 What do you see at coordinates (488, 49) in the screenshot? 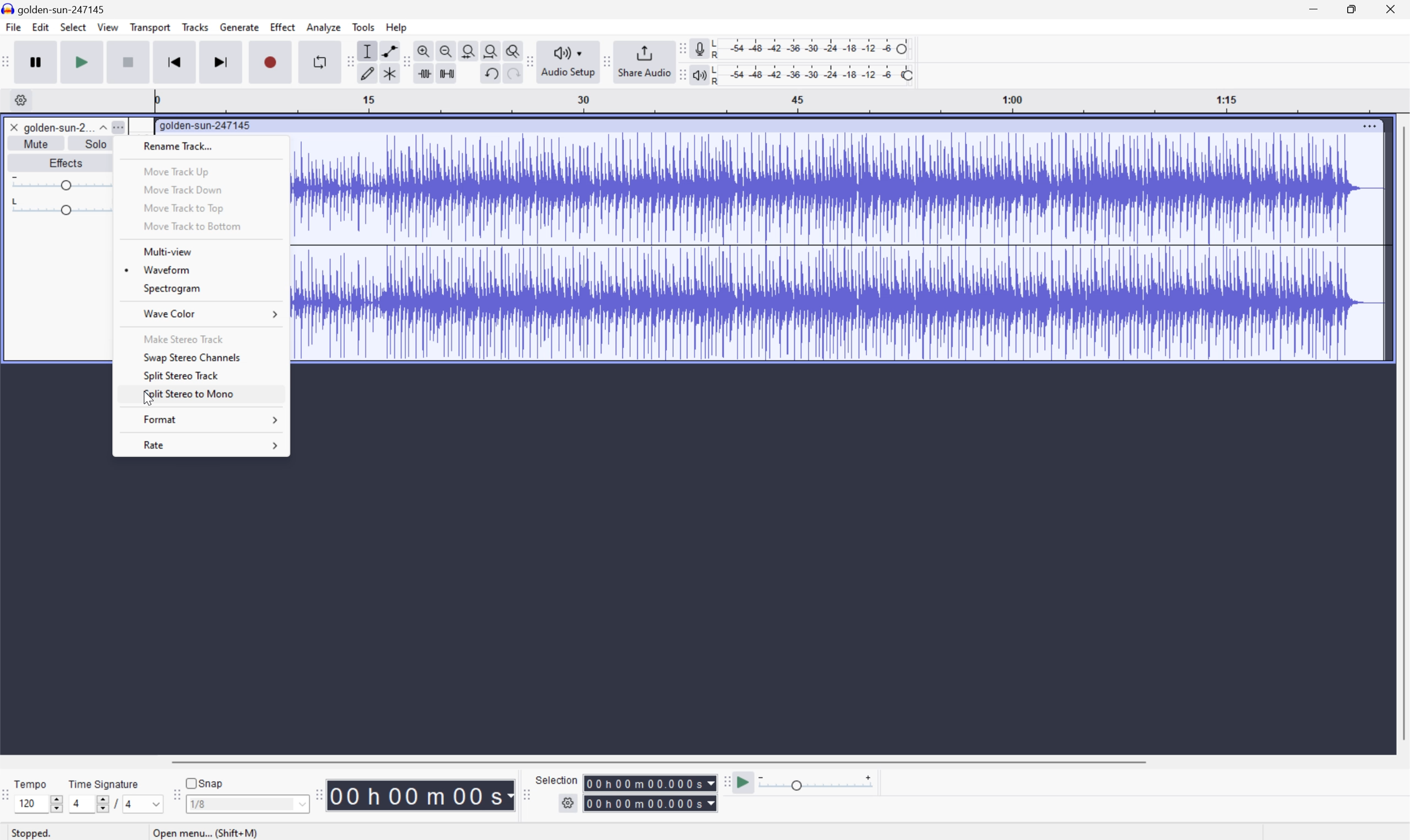
I see `Fit project to width` at bounding box center [488, 49].